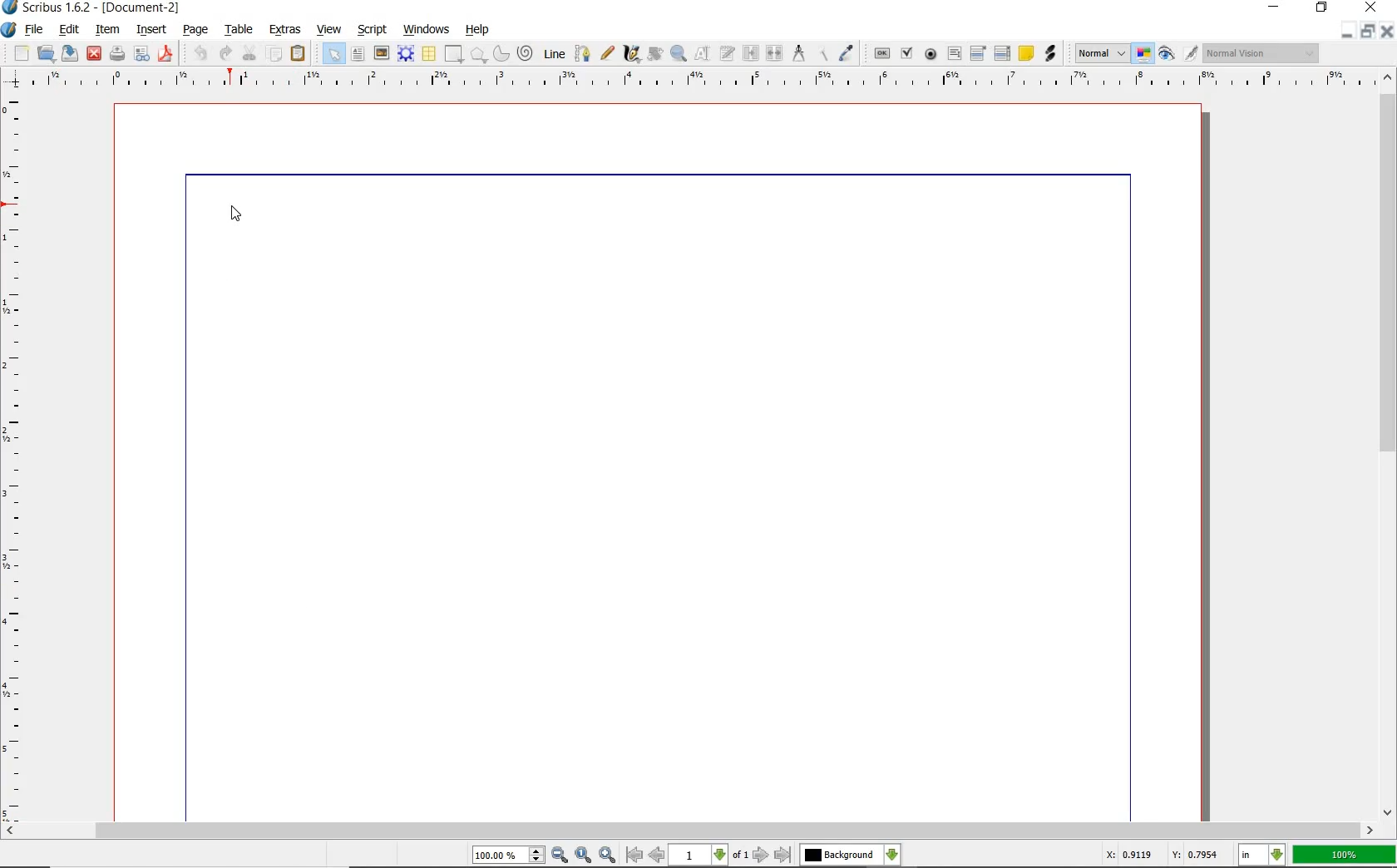  Describe the element at coordinates (1003, 52) in the screenshot. I see `pdf list box` at that location.